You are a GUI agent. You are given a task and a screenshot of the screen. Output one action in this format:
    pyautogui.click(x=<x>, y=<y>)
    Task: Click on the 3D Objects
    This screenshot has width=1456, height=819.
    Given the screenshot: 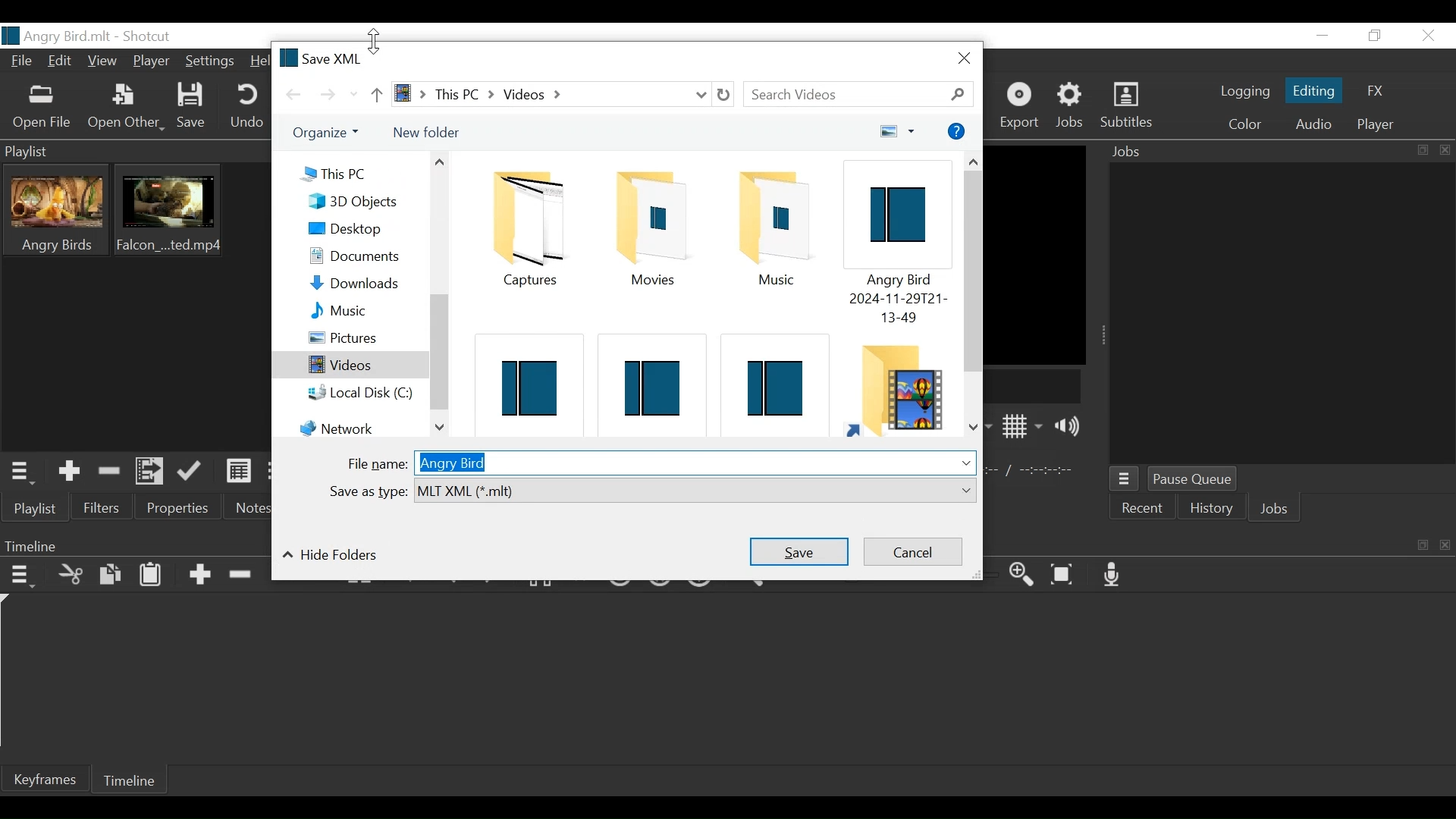 What is the action you would take?
    pyautogui.click(x=362, y=202)
    